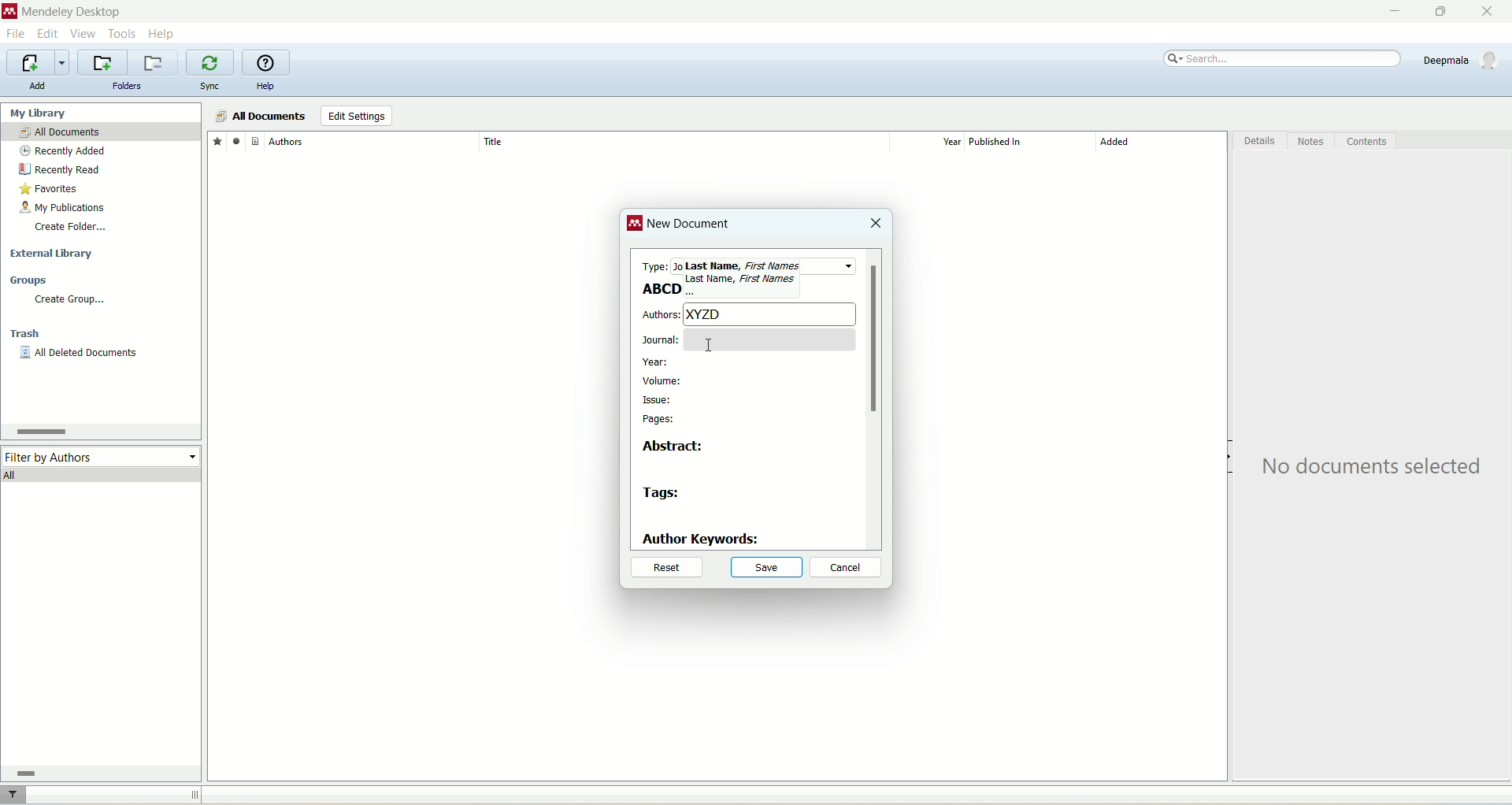 This screenshot has width=1512, height=805. I want to click on file, so click(15, 35).